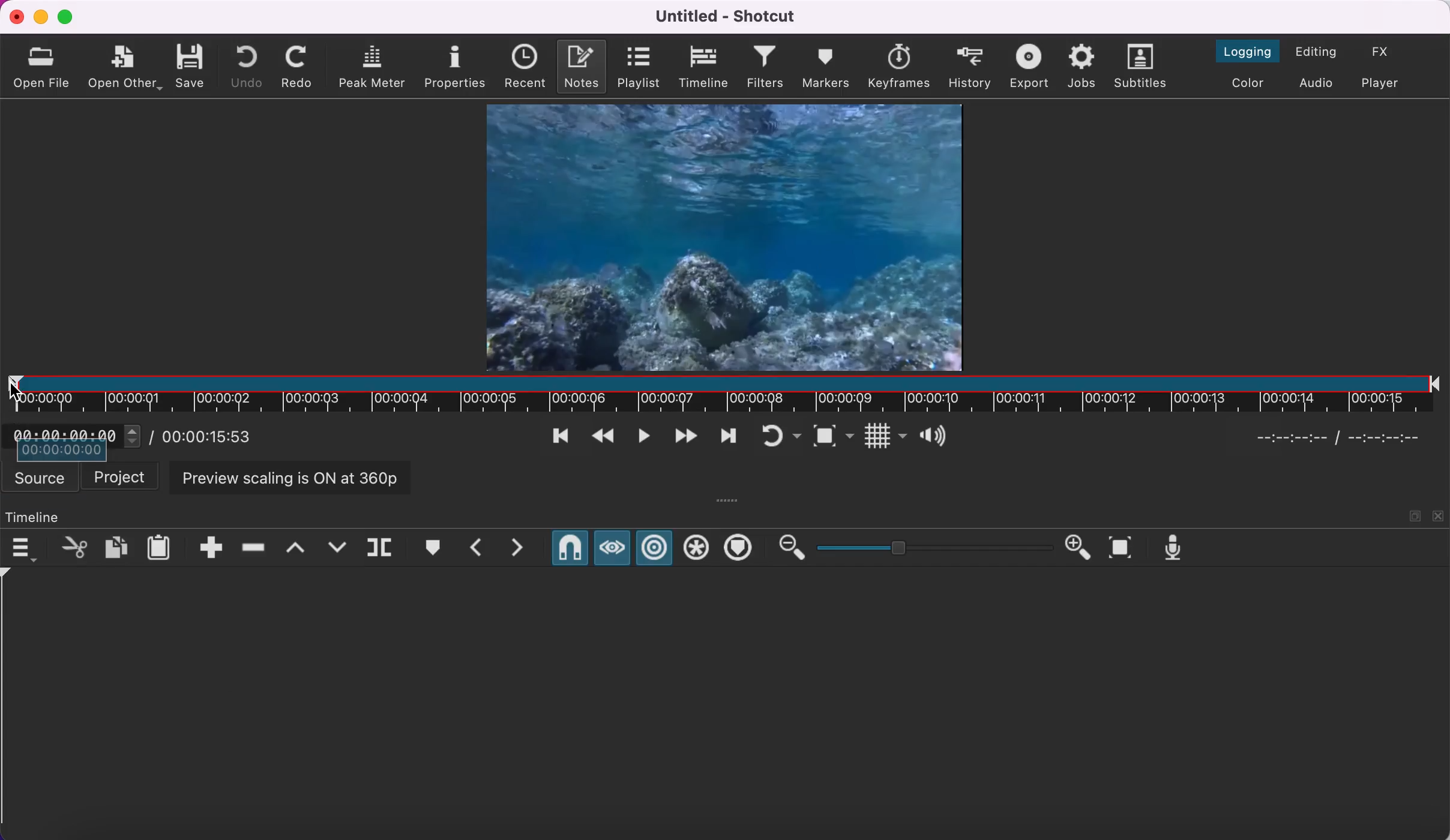 This screenshot has width=1450, height=840. Describe the element at coordinates (560, 434) in the screenshot. I see `skip to previous point` at that location.